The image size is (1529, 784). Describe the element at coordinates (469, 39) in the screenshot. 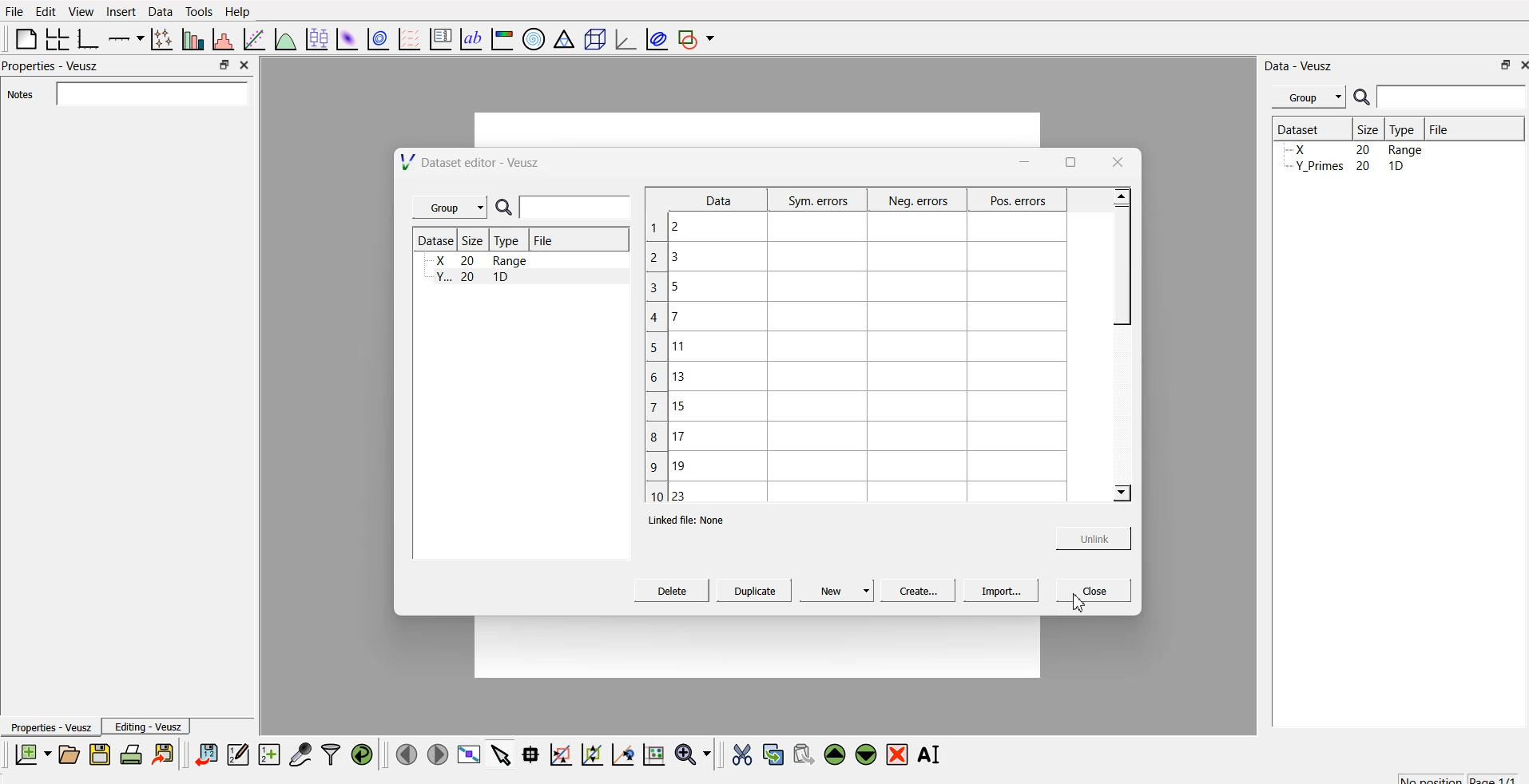

I see `text label` at that location.